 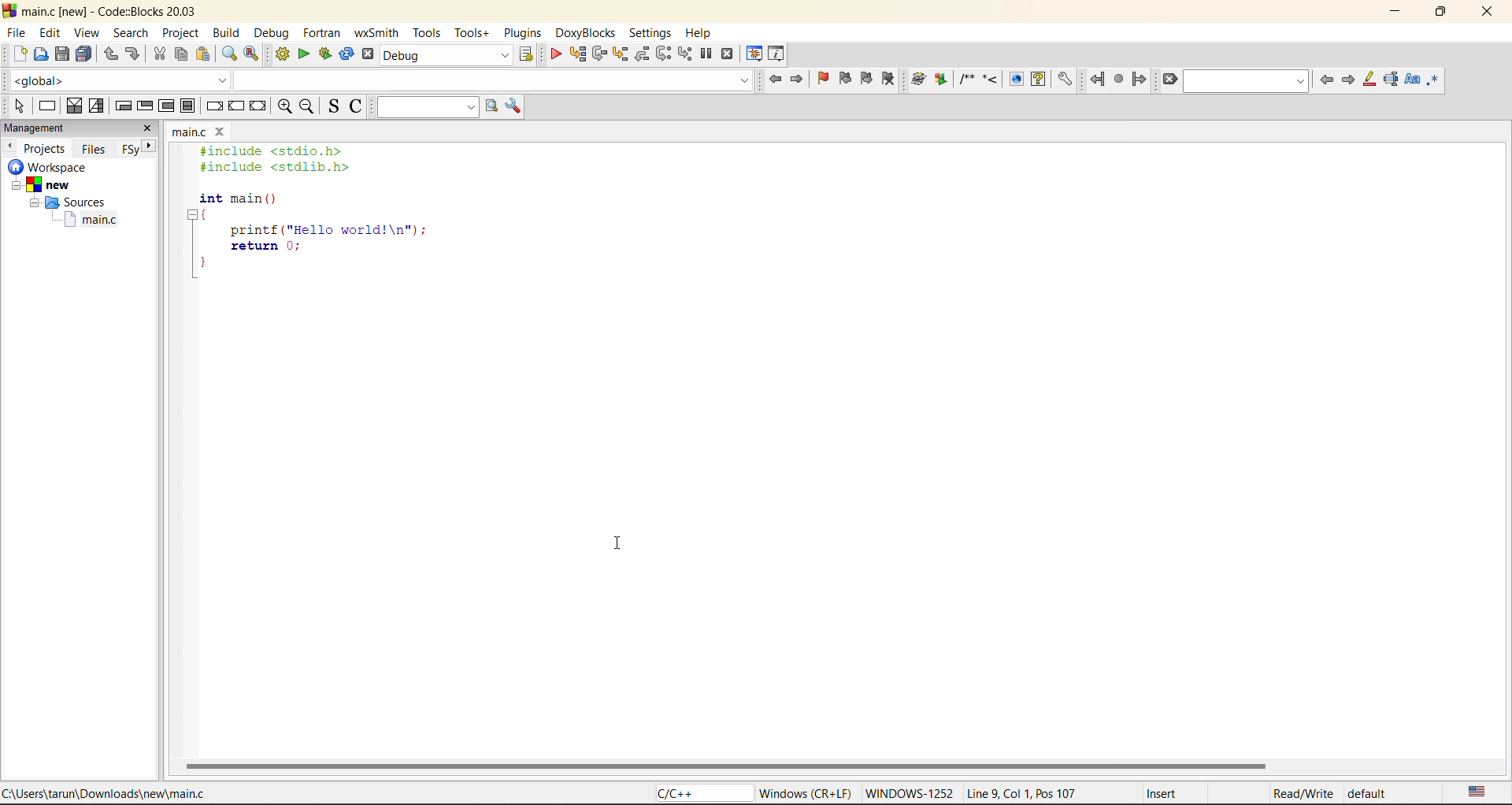 I want to click on build and run, so click(x=326, y=54).